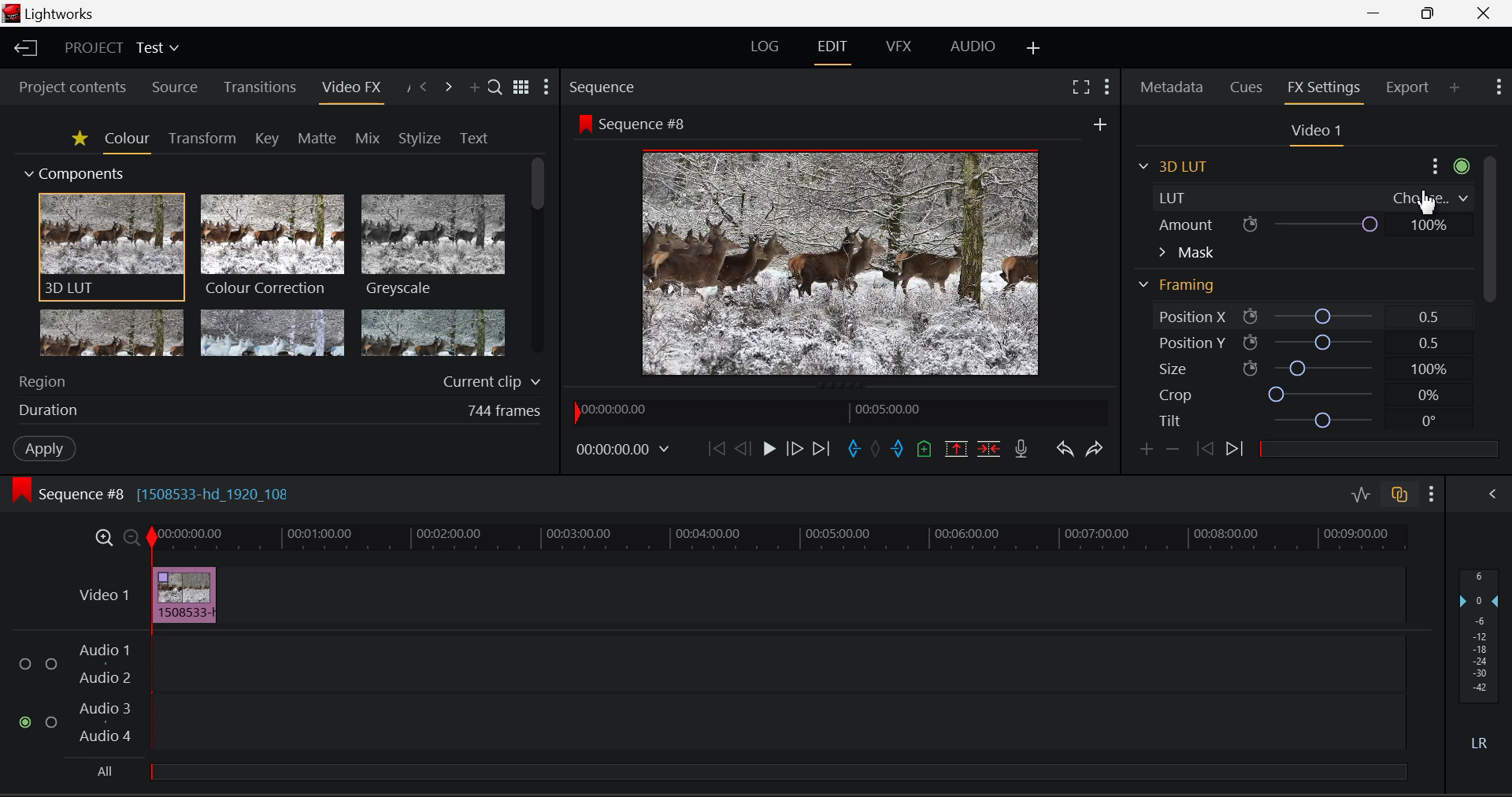  What do you see at coordinates (1246, 87) in the screenshot?
I see `Cues` at bounding box center [1246, 87].